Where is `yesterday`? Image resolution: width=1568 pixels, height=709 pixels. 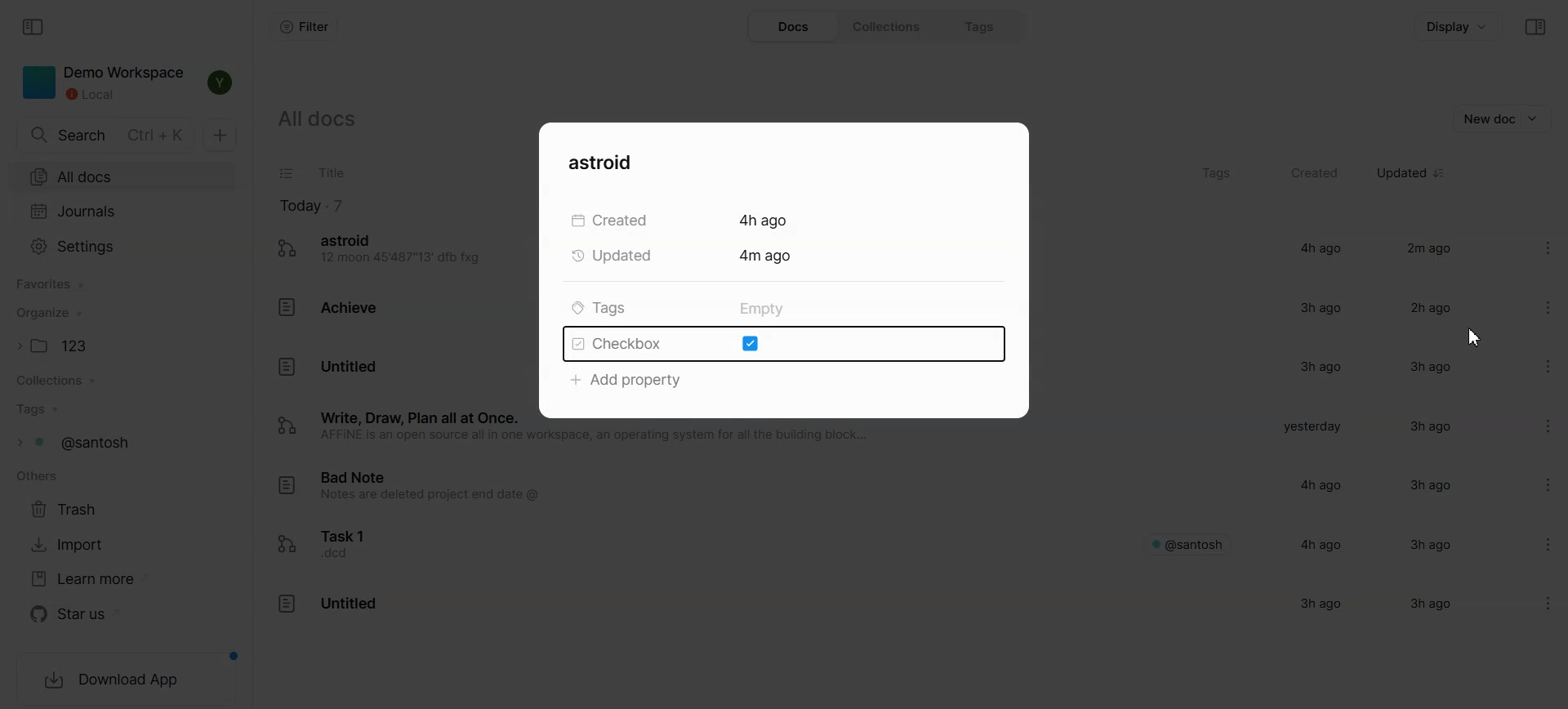
yesterday is located at coordinates (1310, 427).